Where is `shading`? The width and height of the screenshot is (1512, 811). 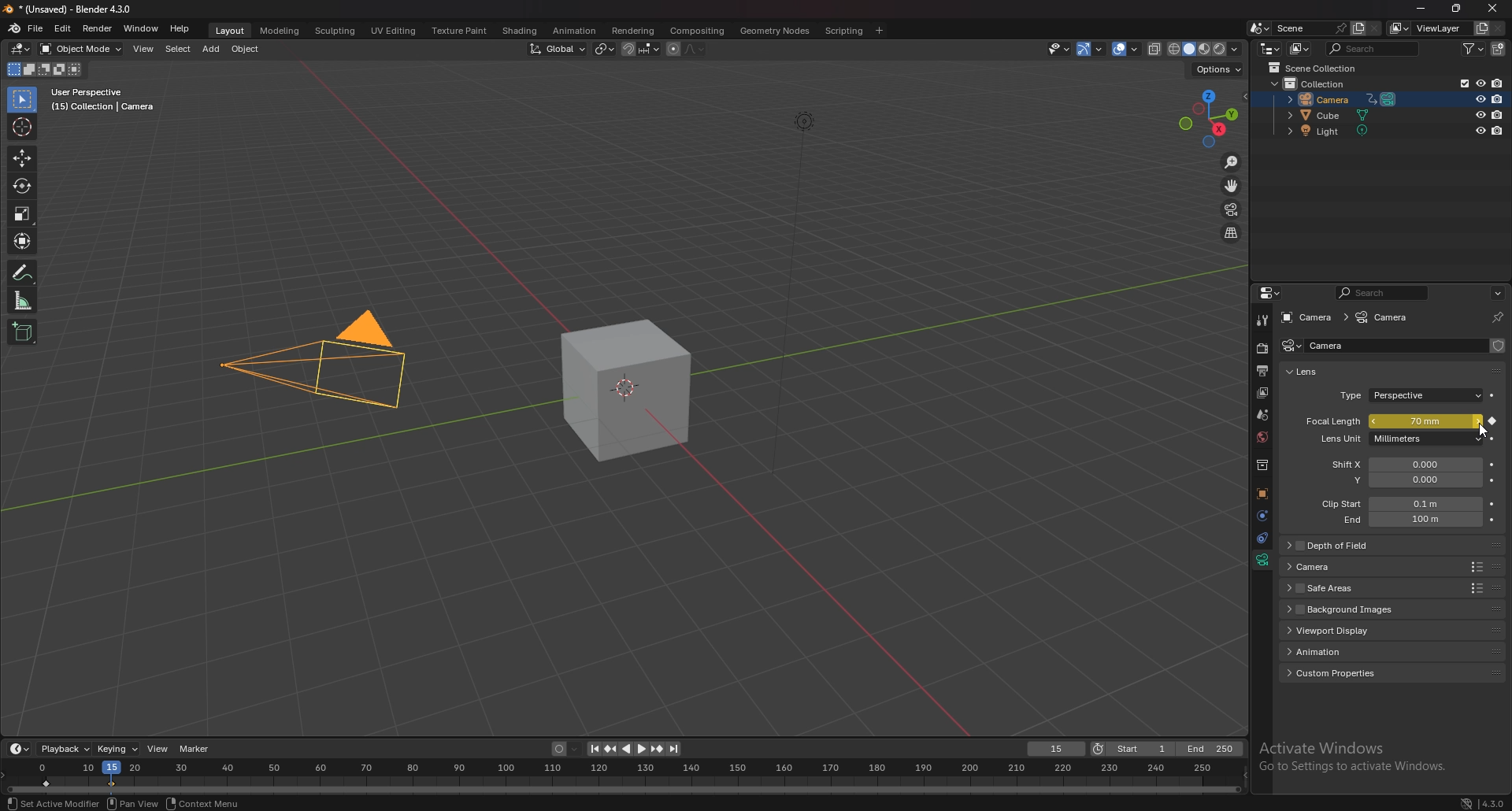
shading is located at coordinates (520, 30).